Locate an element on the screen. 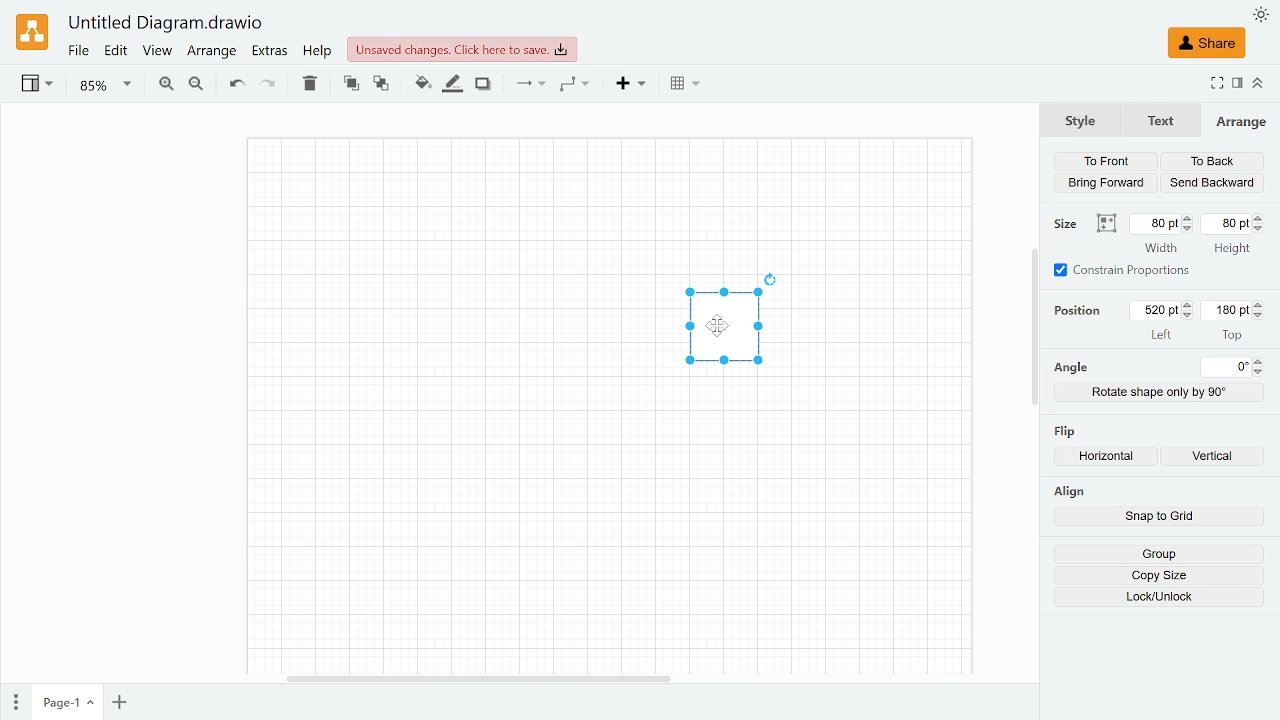 Image resolution: width=1280 pixels, height=720 pixels. Decrease angle is located at coordinates (1261, 372).